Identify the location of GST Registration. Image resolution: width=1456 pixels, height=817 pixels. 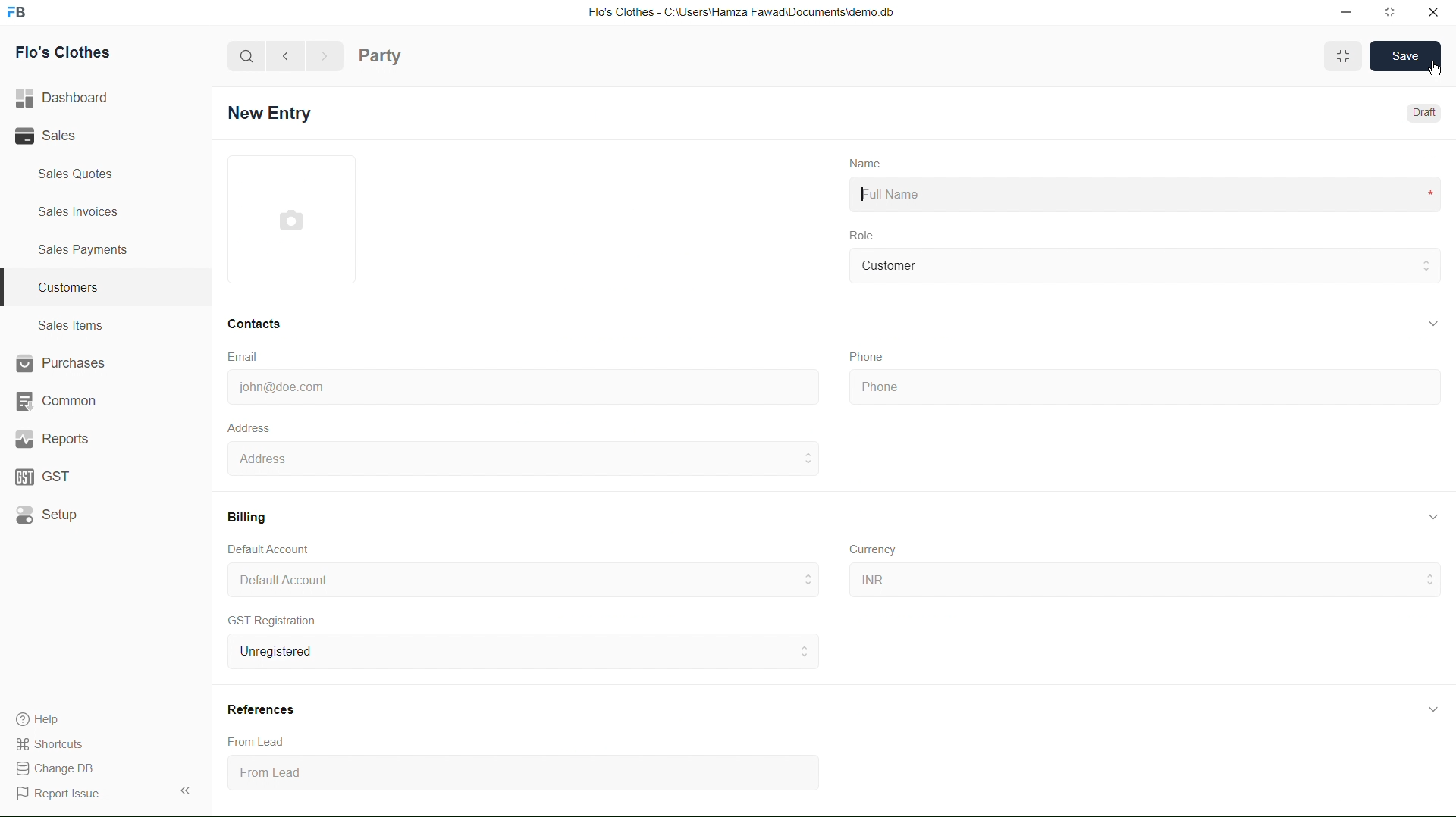
(274, 621).